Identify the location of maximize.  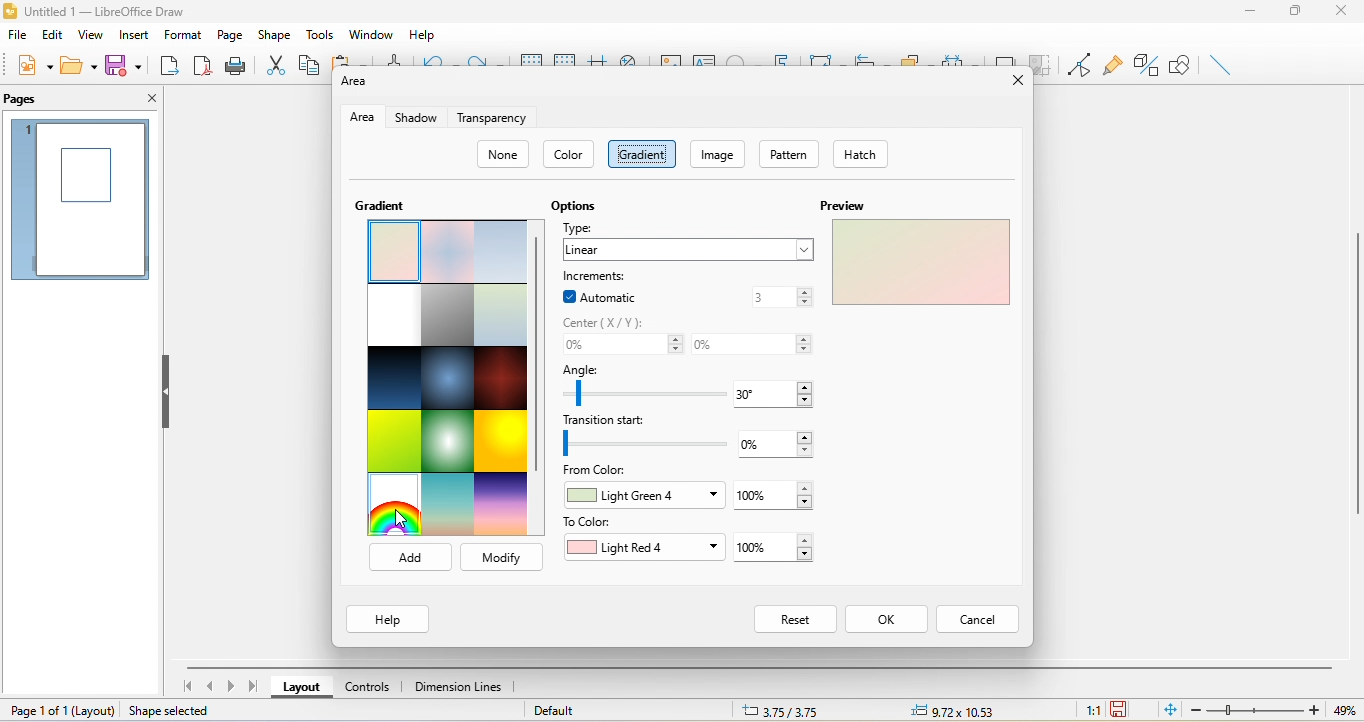
(1295, 13).